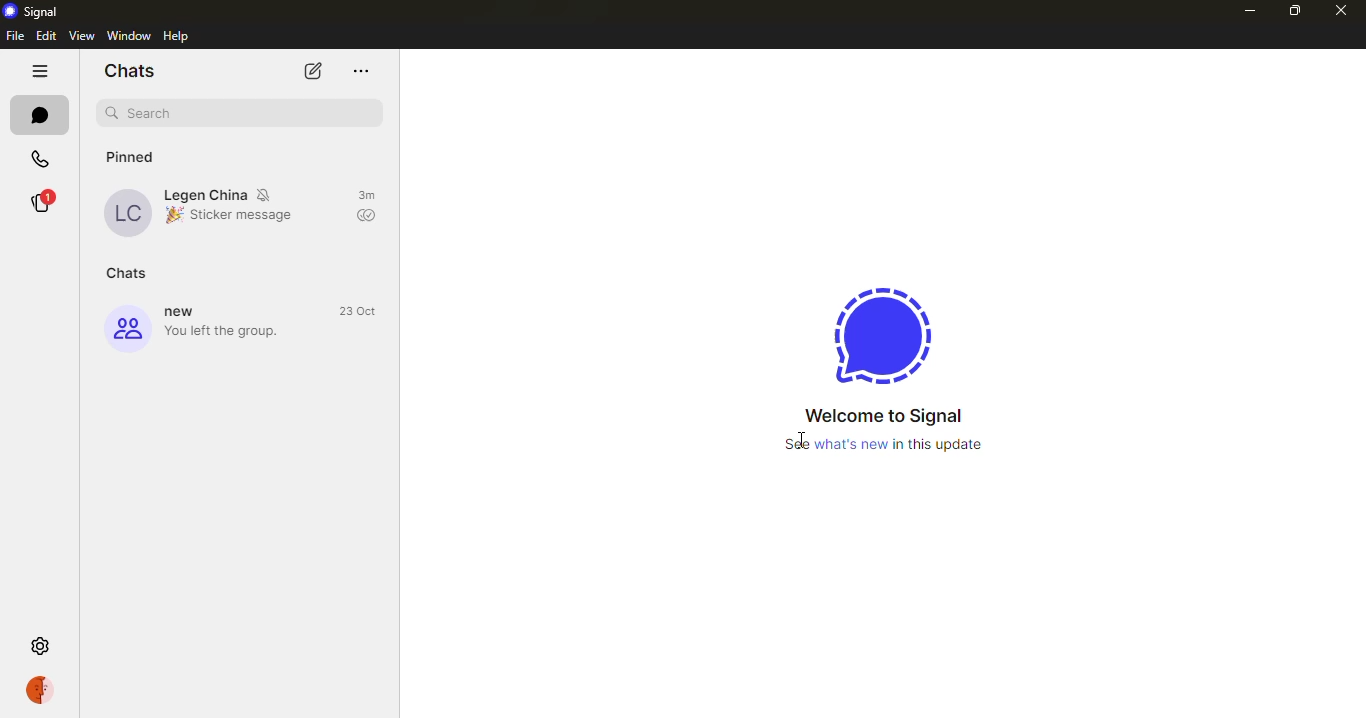 Image resolution: width=1366 pixels, height=718 pixels. What do you see at coordinates (244, 215) in the screenshot?
I see `sticker message` at bounding box center [244, 215].